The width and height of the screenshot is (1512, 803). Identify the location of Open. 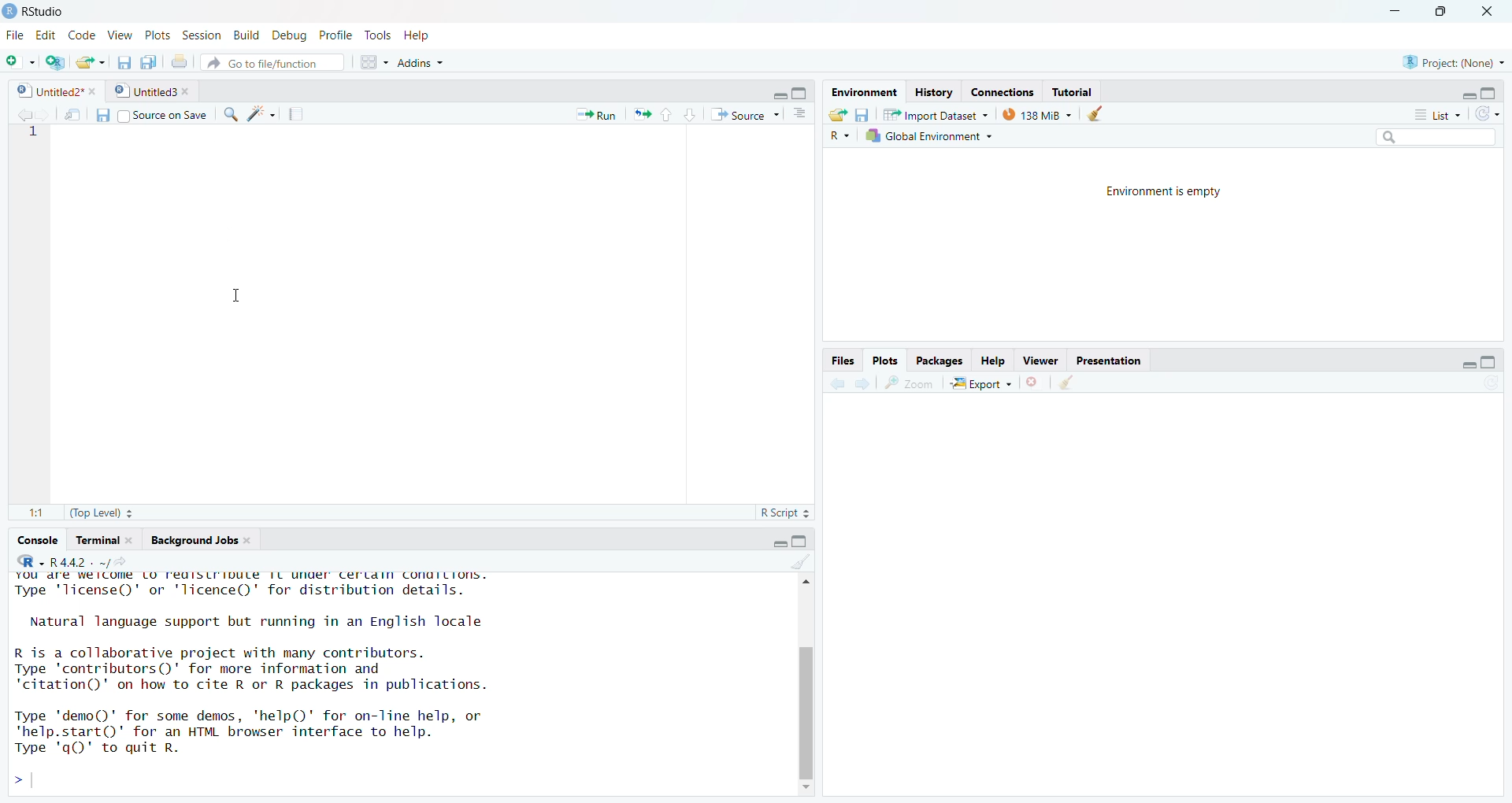
(836, 114).